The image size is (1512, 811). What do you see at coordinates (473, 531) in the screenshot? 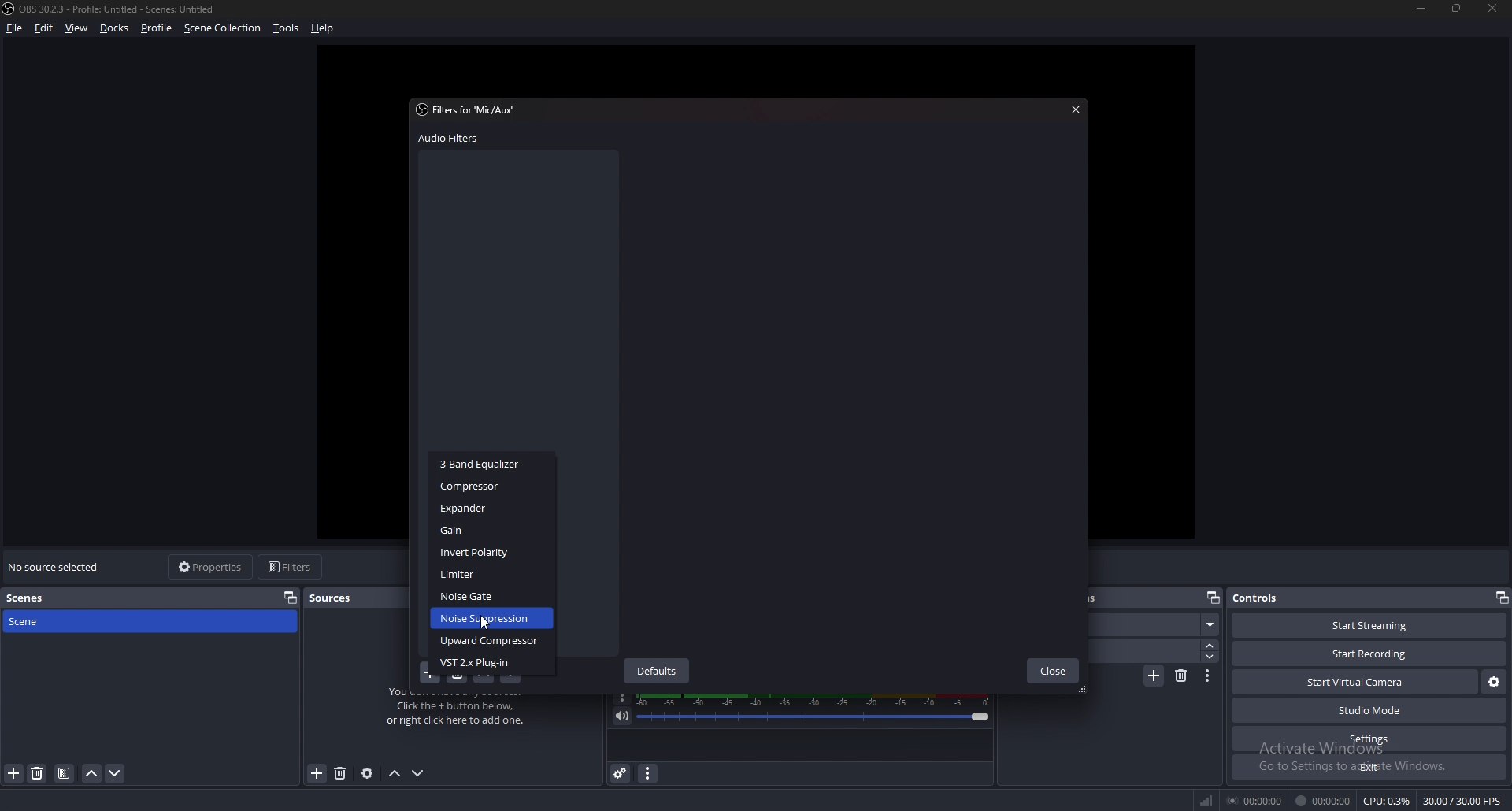
I see `Gain` at bounding box center [473, 531].